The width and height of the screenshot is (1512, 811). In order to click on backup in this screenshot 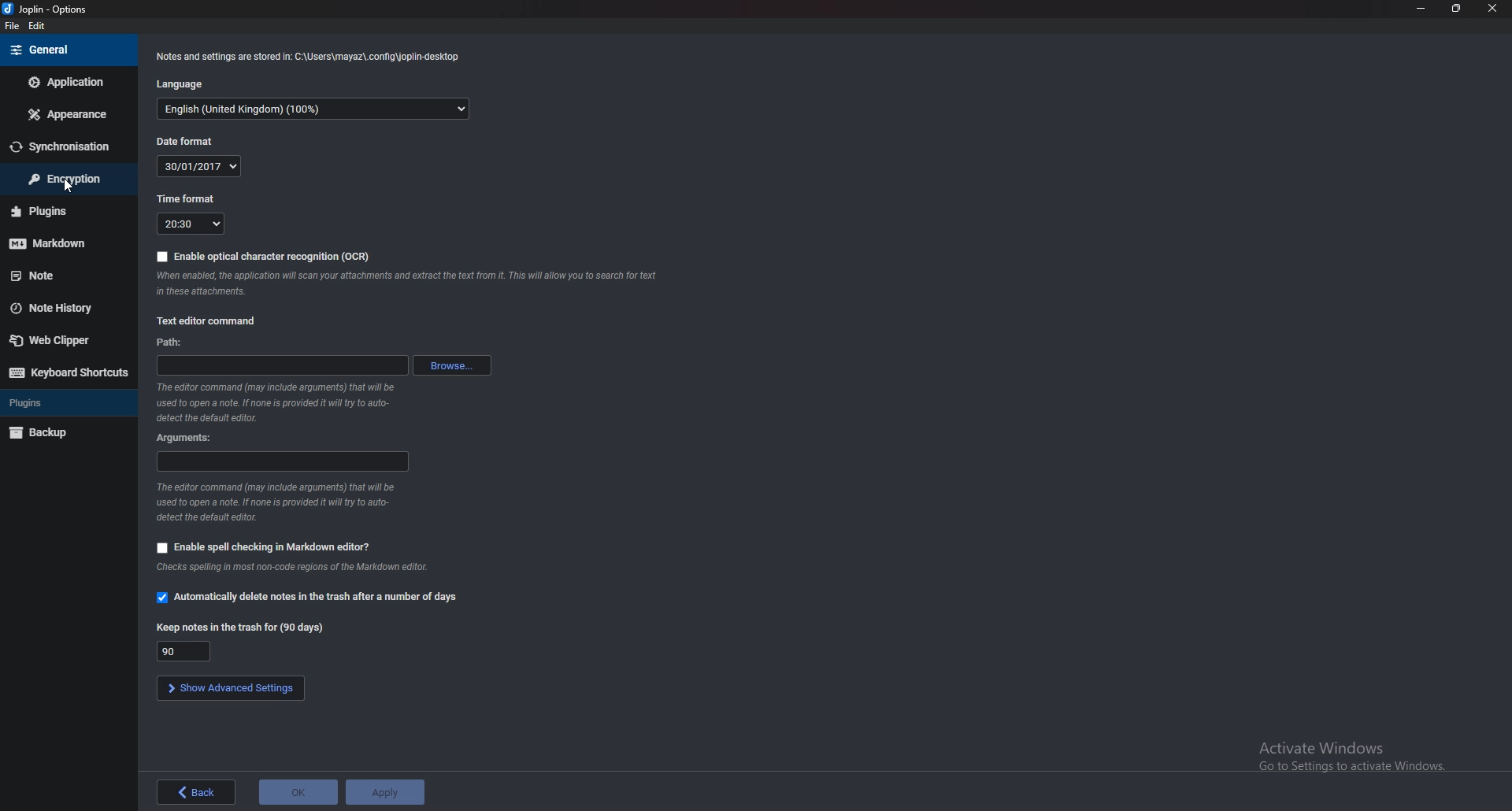, I will do `click(61, 434)`.